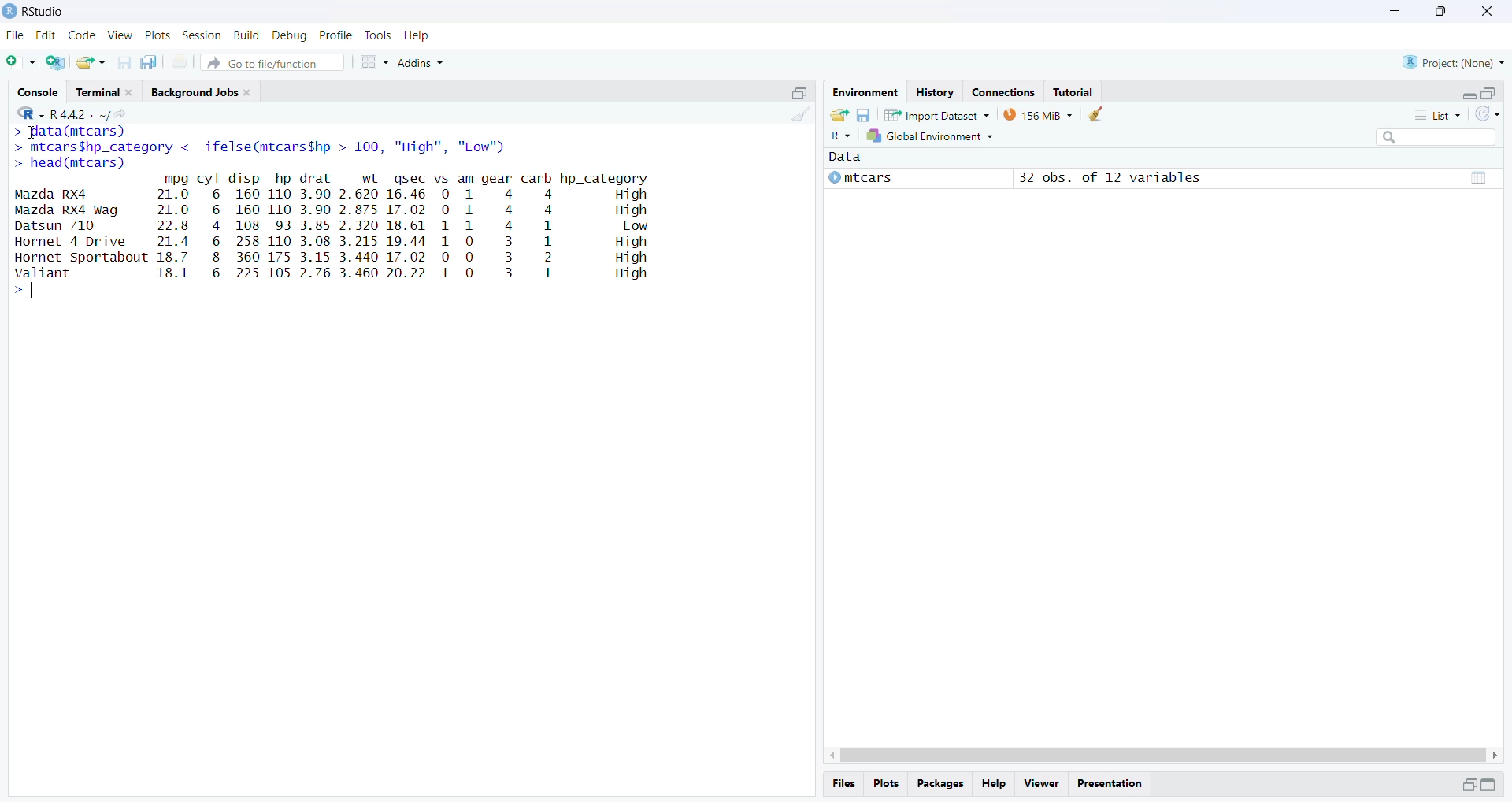 This screenshot has height=802, width=1512. What do you see at coordinates (1162, 173) in the screenshot?
I see `values
mtcars <Promise>` at bounding box center [1162, 173].